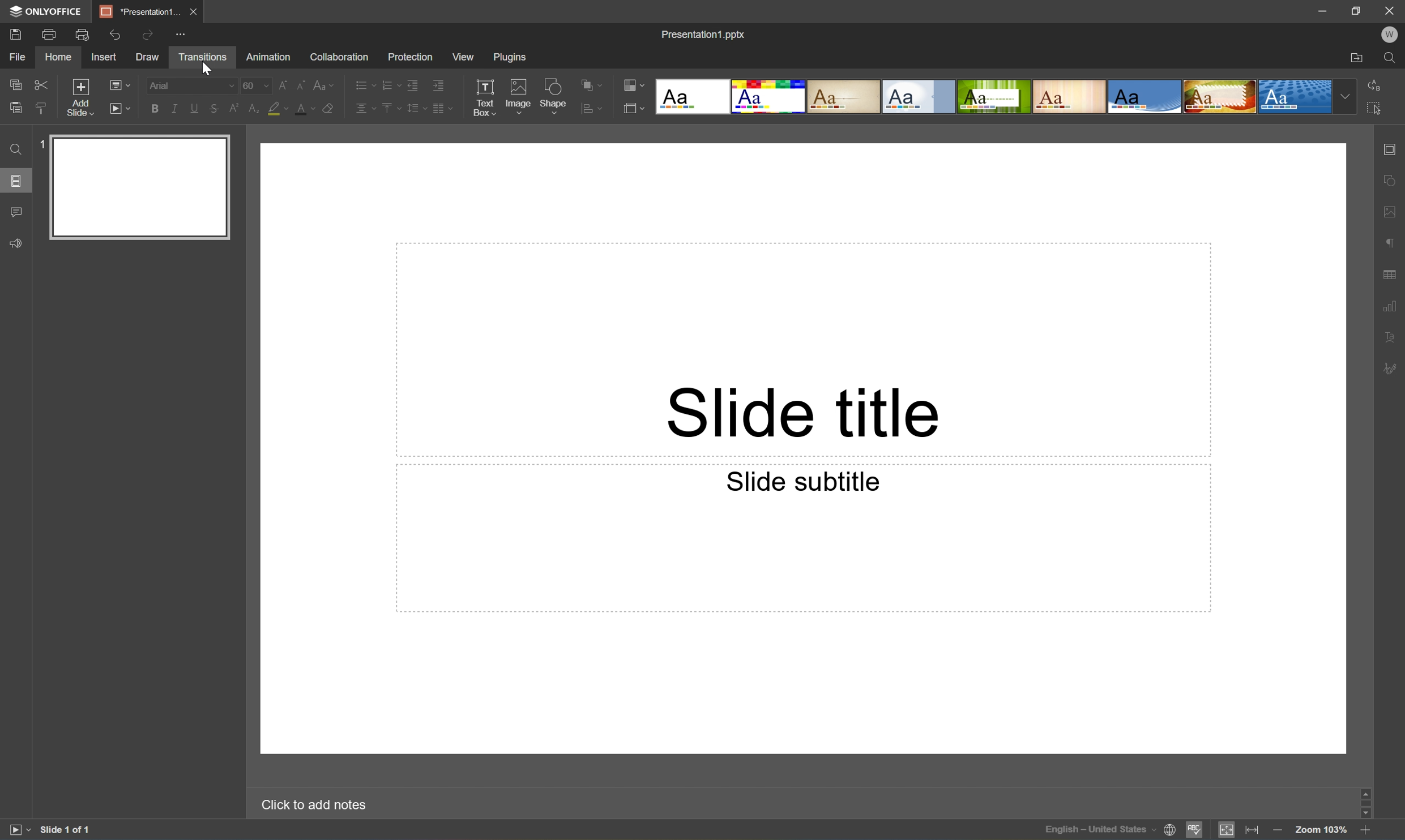 Image resolution: width=1405 pixels, height=840 pixels. Describe the element at coordinates (389, 109) in the screenshot. I see `Vertically align` at that location.